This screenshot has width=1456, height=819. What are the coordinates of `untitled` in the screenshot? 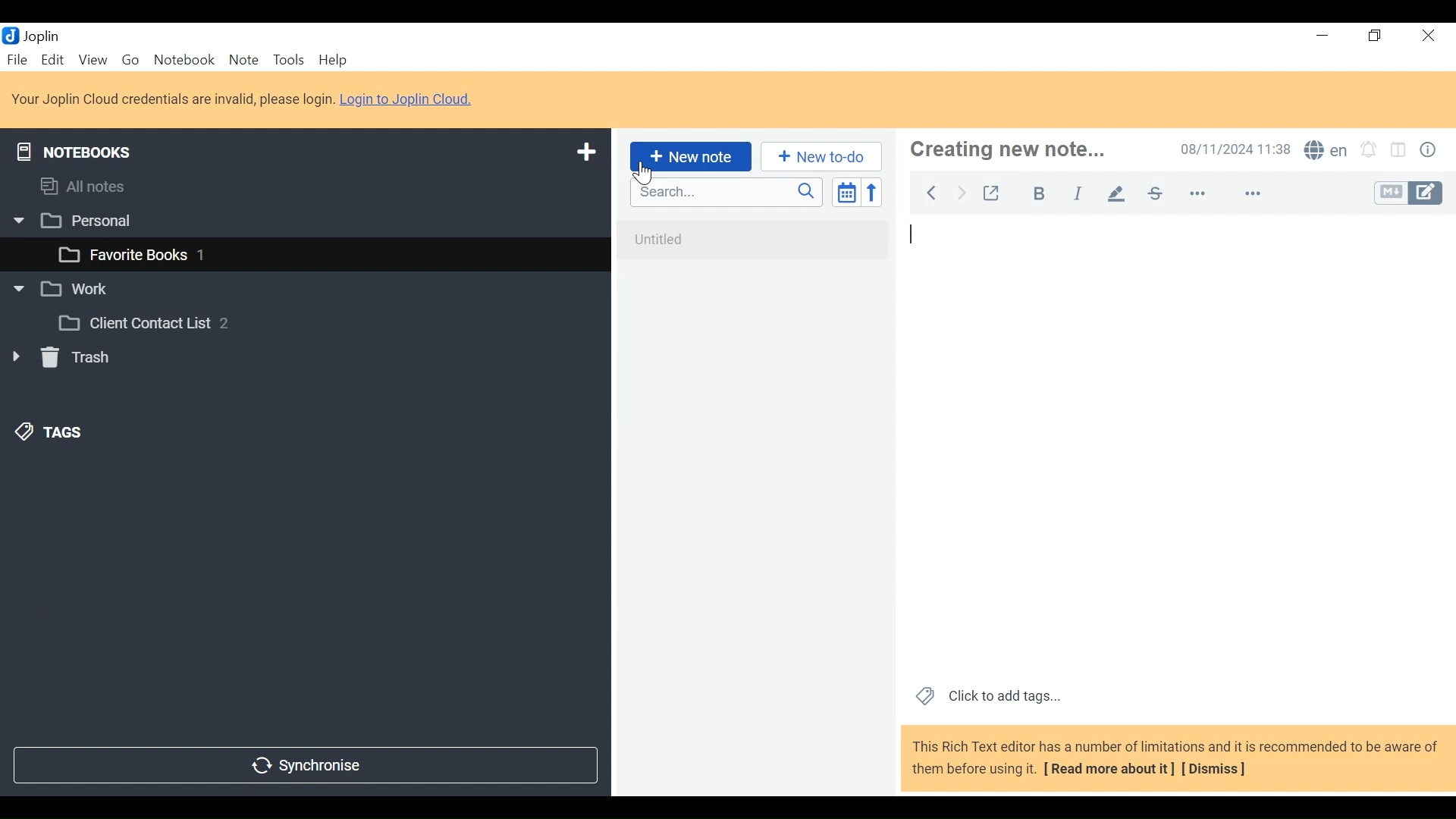 It's located at (749, 240).